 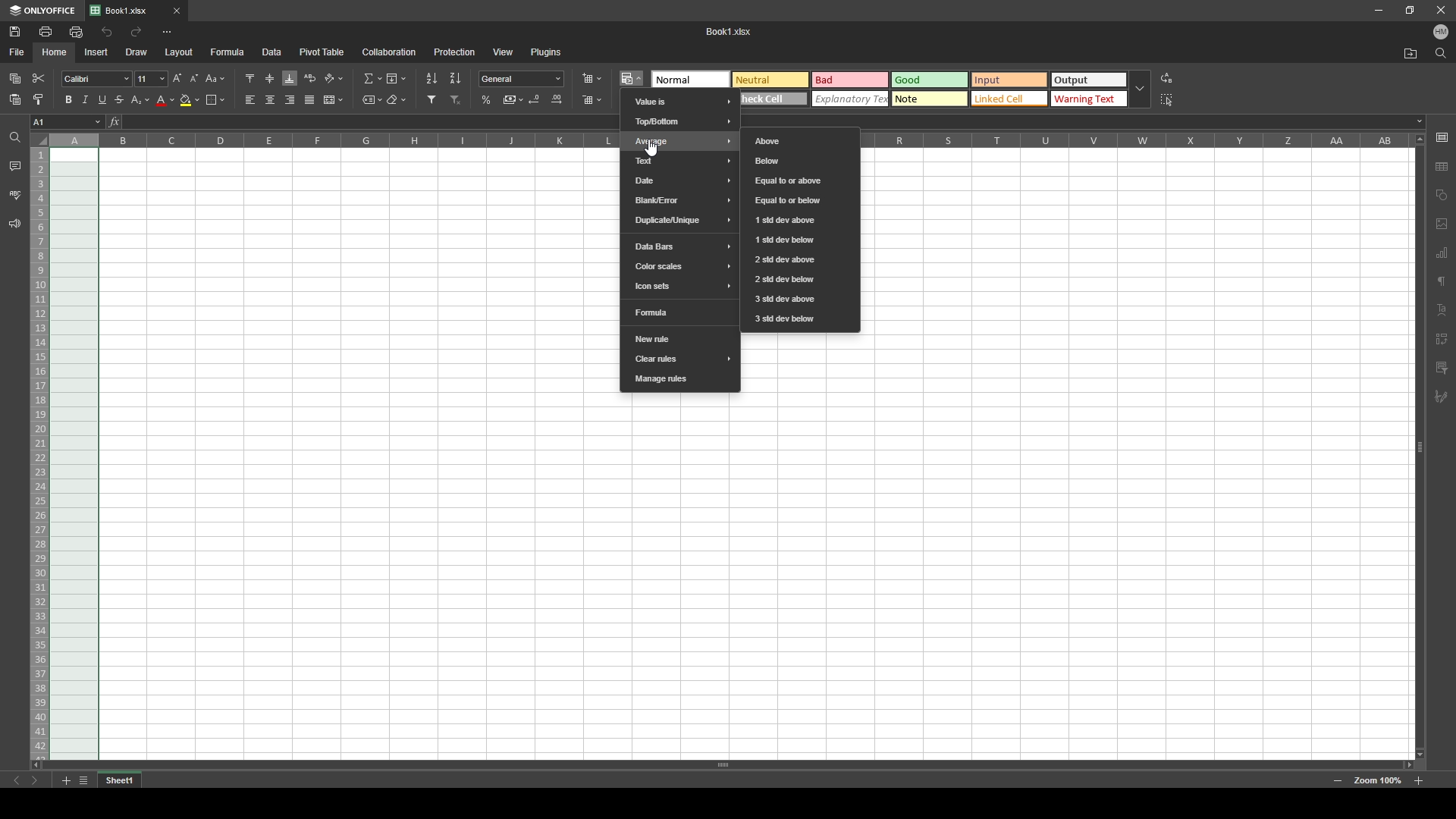 I want to click on paragraph, so click(x=1442, y=284).